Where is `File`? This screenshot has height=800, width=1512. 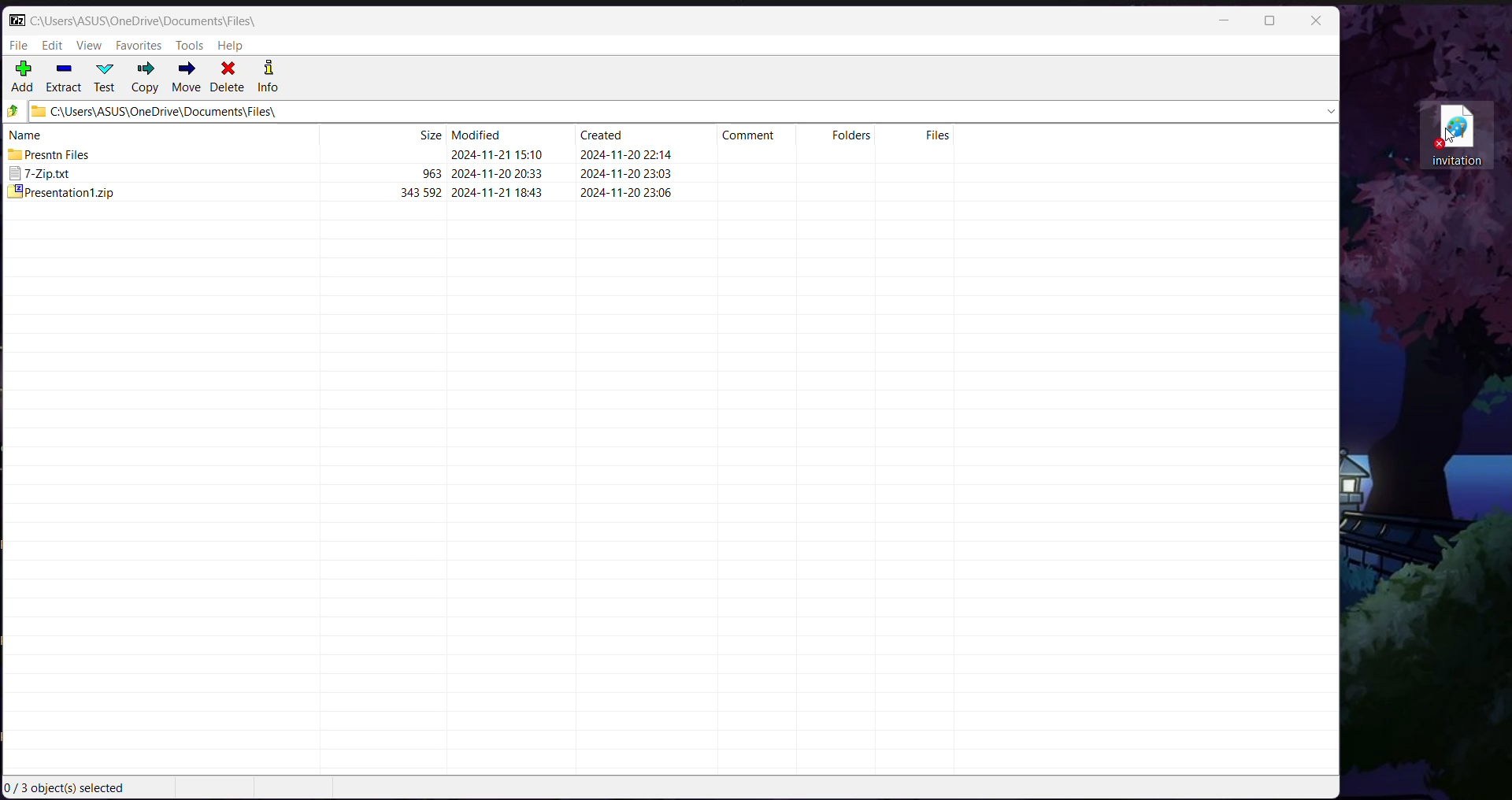
File is located at coordinates (20, 44).